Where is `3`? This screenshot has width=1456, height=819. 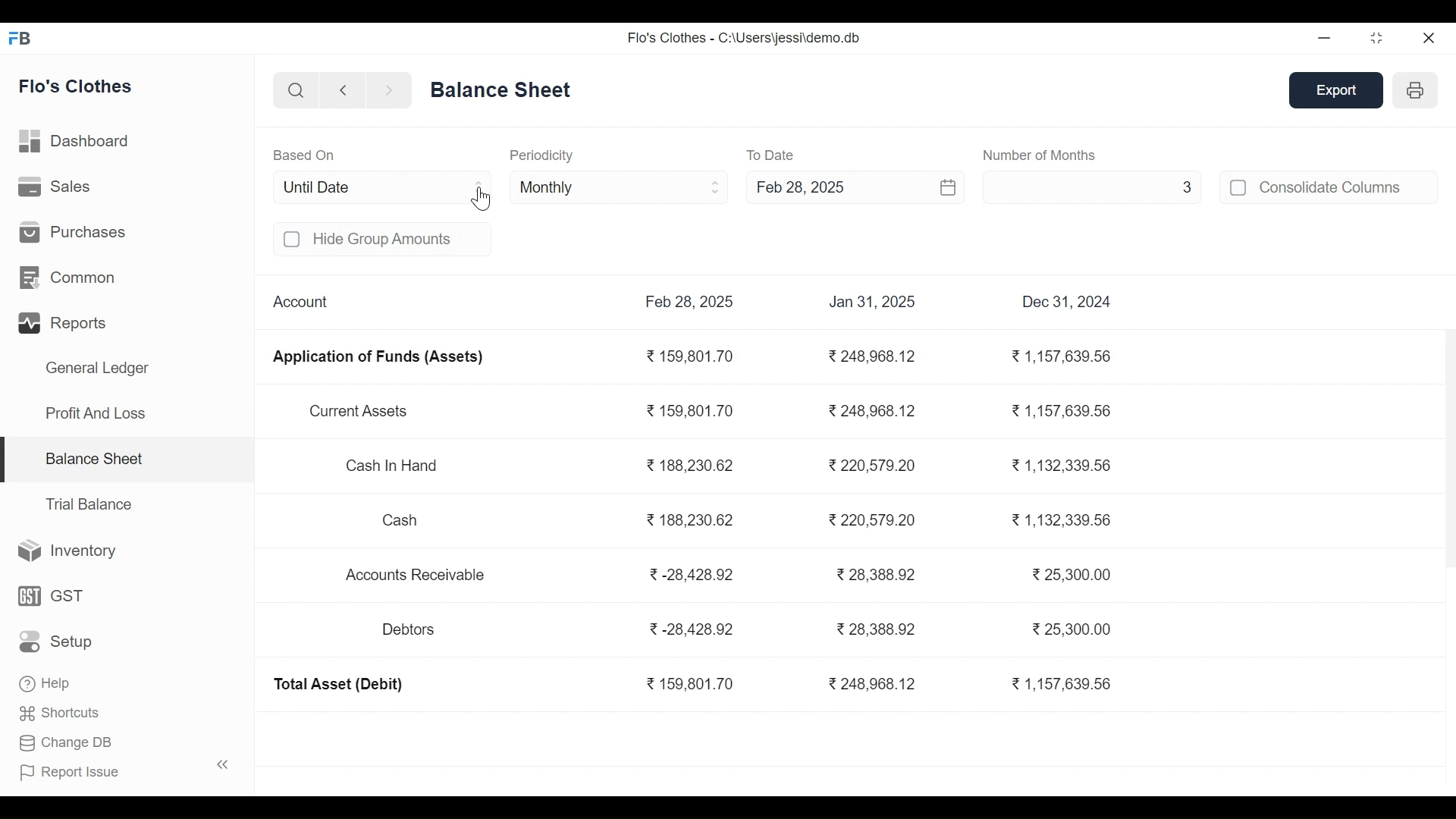 3 is located at coordinates (1092, 186).